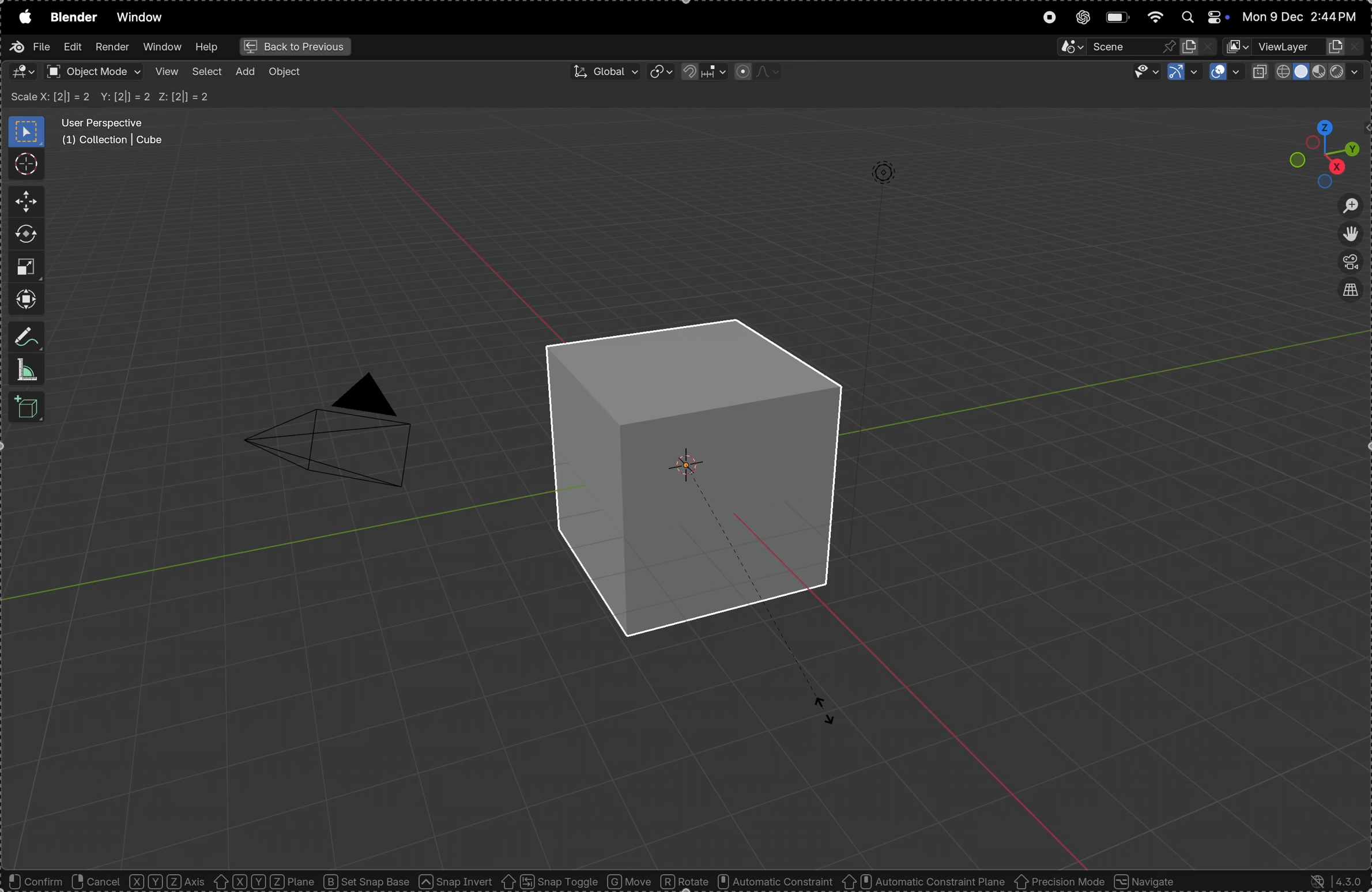 This screenshot has height=892, width=1372. I want to click on rotate, so click(24, 233).